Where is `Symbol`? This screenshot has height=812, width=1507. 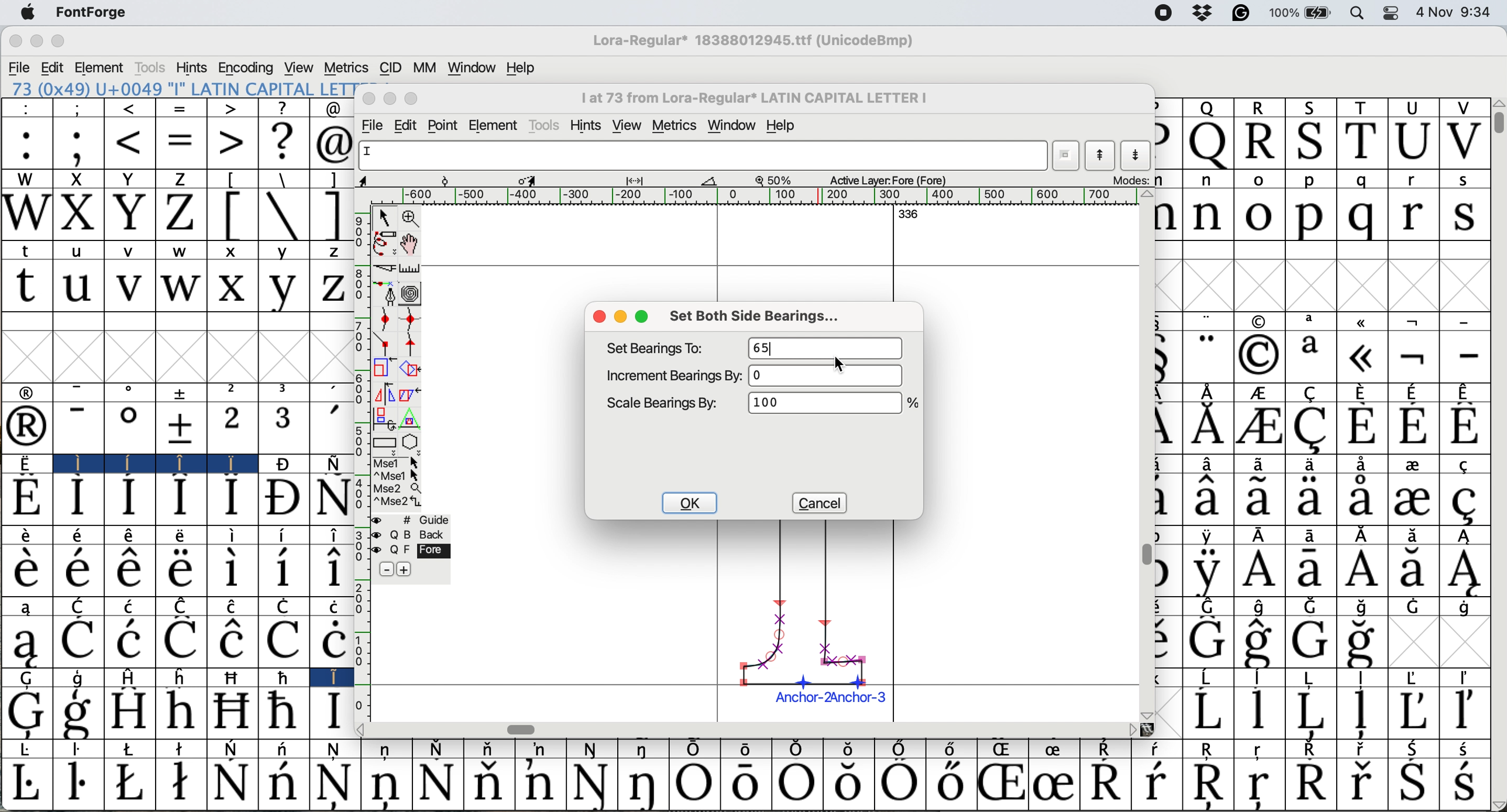
Symbol is located at coordinates (1414, 427).